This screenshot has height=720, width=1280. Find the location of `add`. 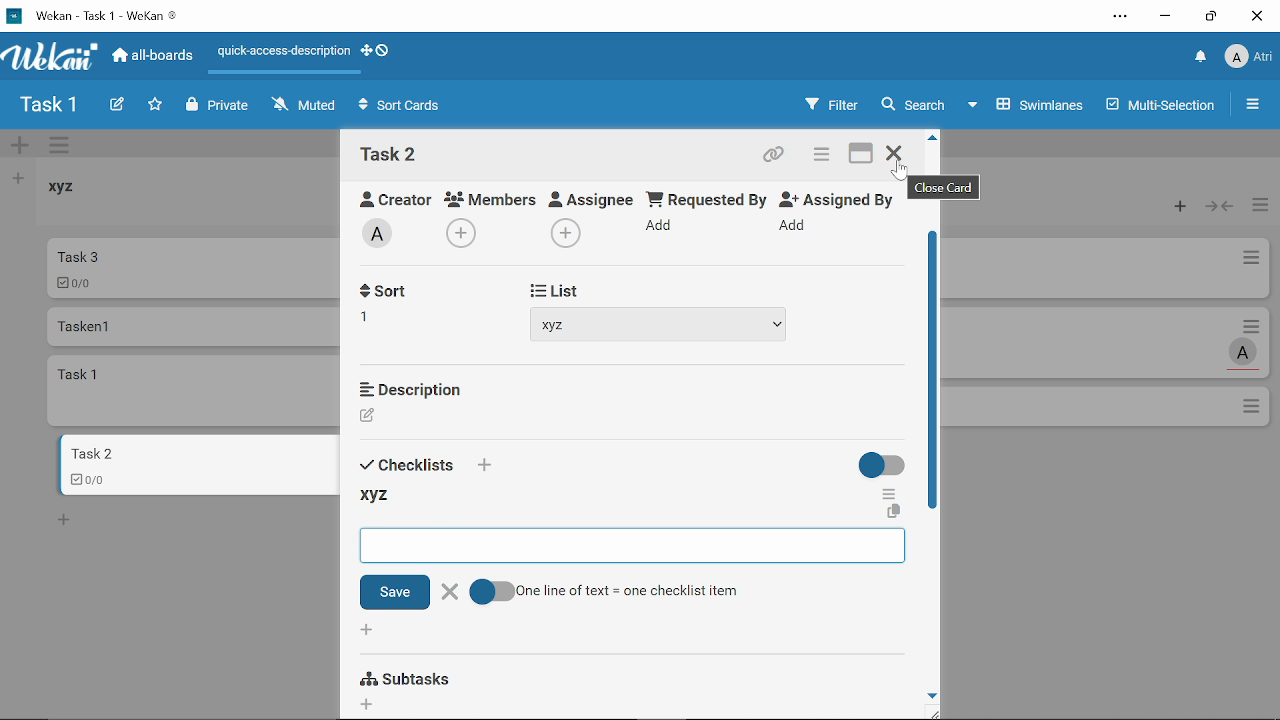

add is located at coordinates (486, 468).